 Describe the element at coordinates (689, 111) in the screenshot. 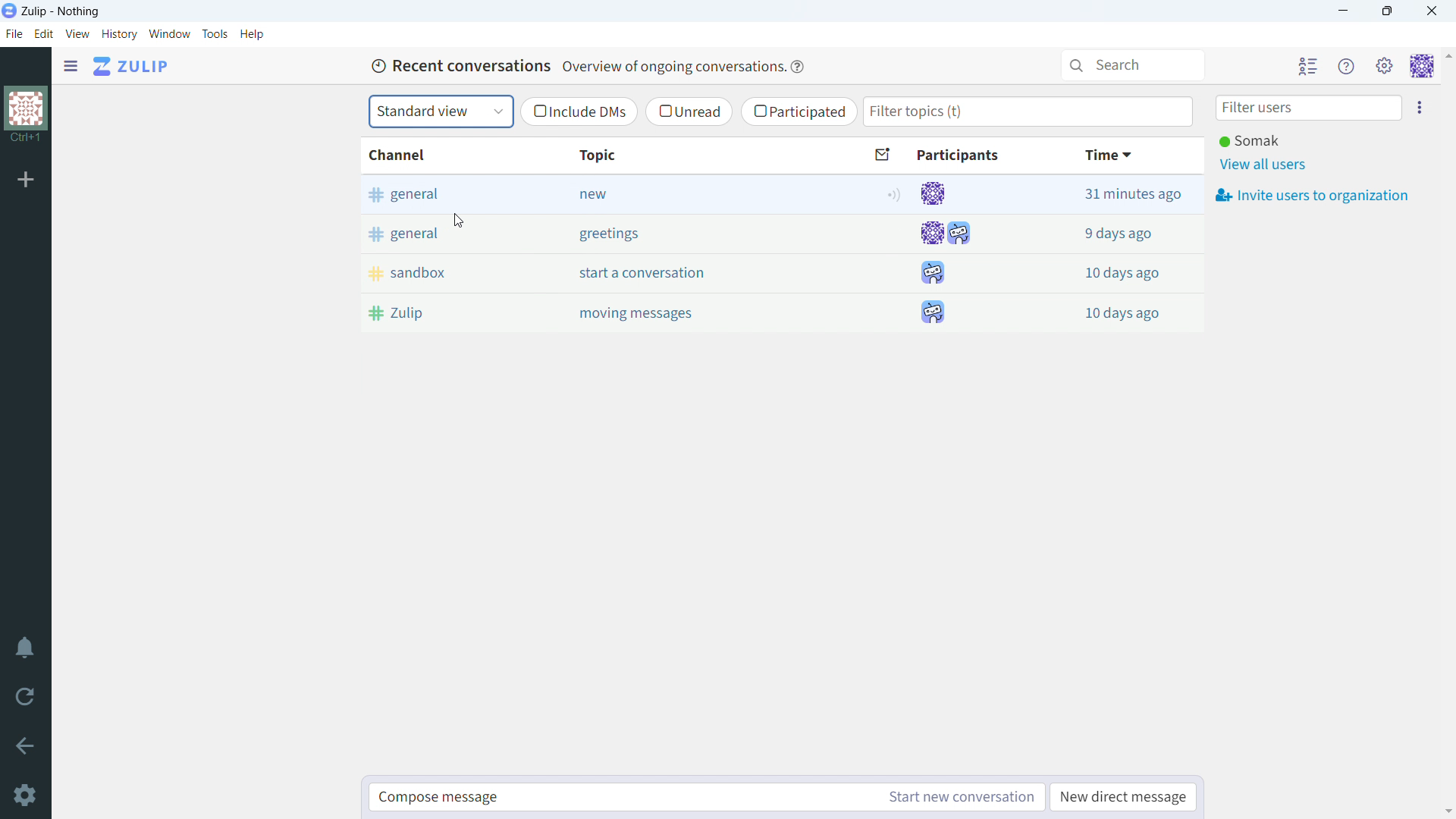

I see `unread` at that location.